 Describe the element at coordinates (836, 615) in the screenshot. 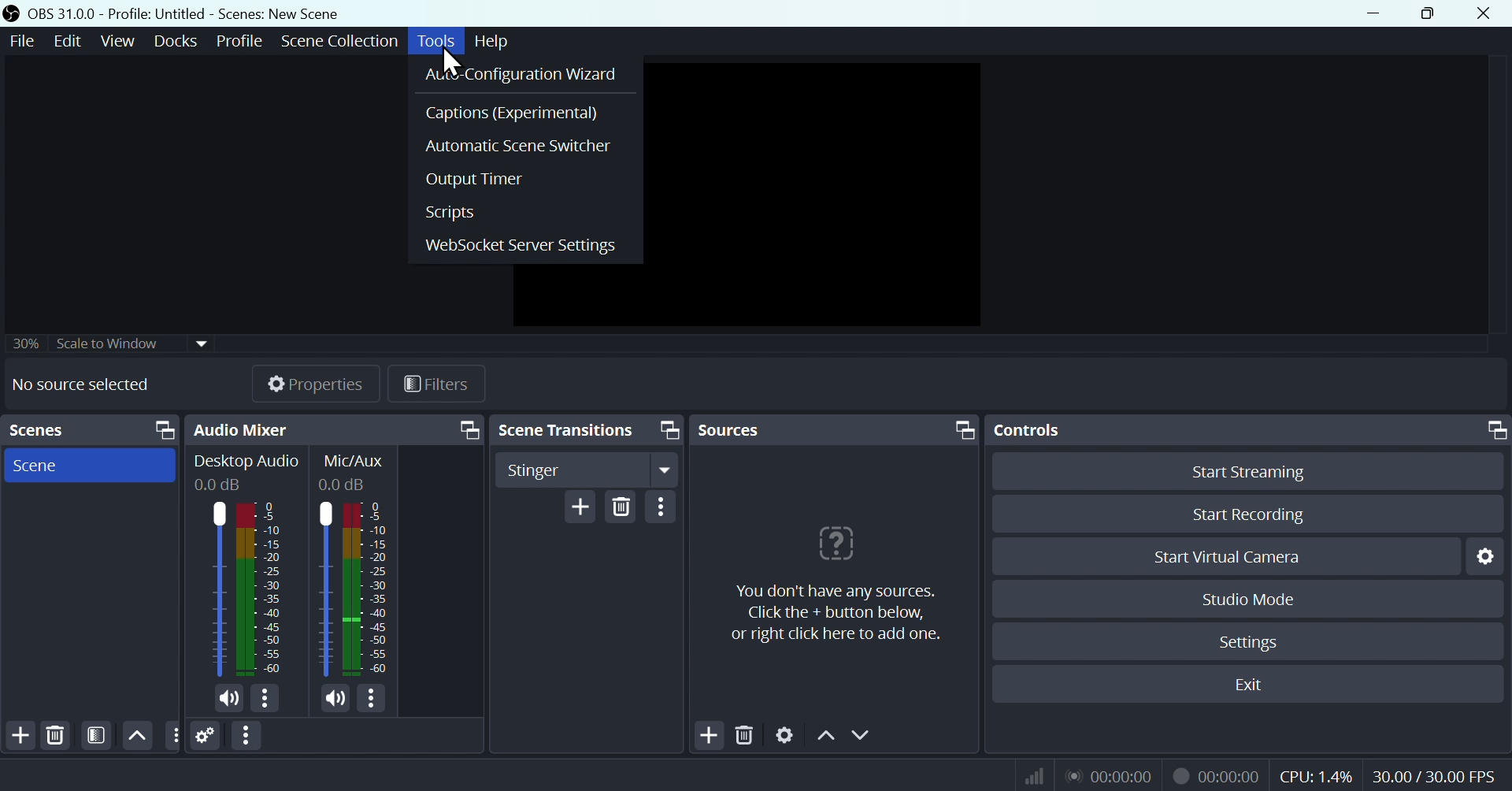

I see `you don't have any sources.` at that location.